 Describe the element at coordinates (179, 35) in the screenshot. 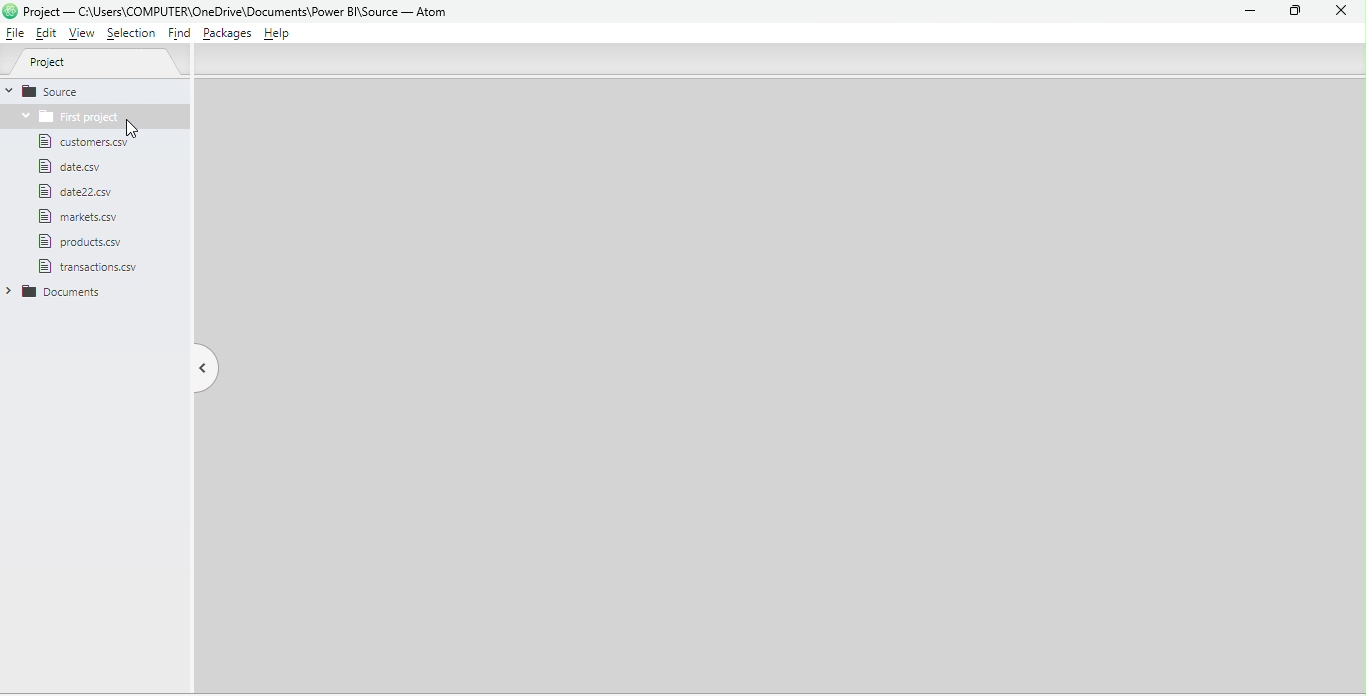

I see `Find` at that location.